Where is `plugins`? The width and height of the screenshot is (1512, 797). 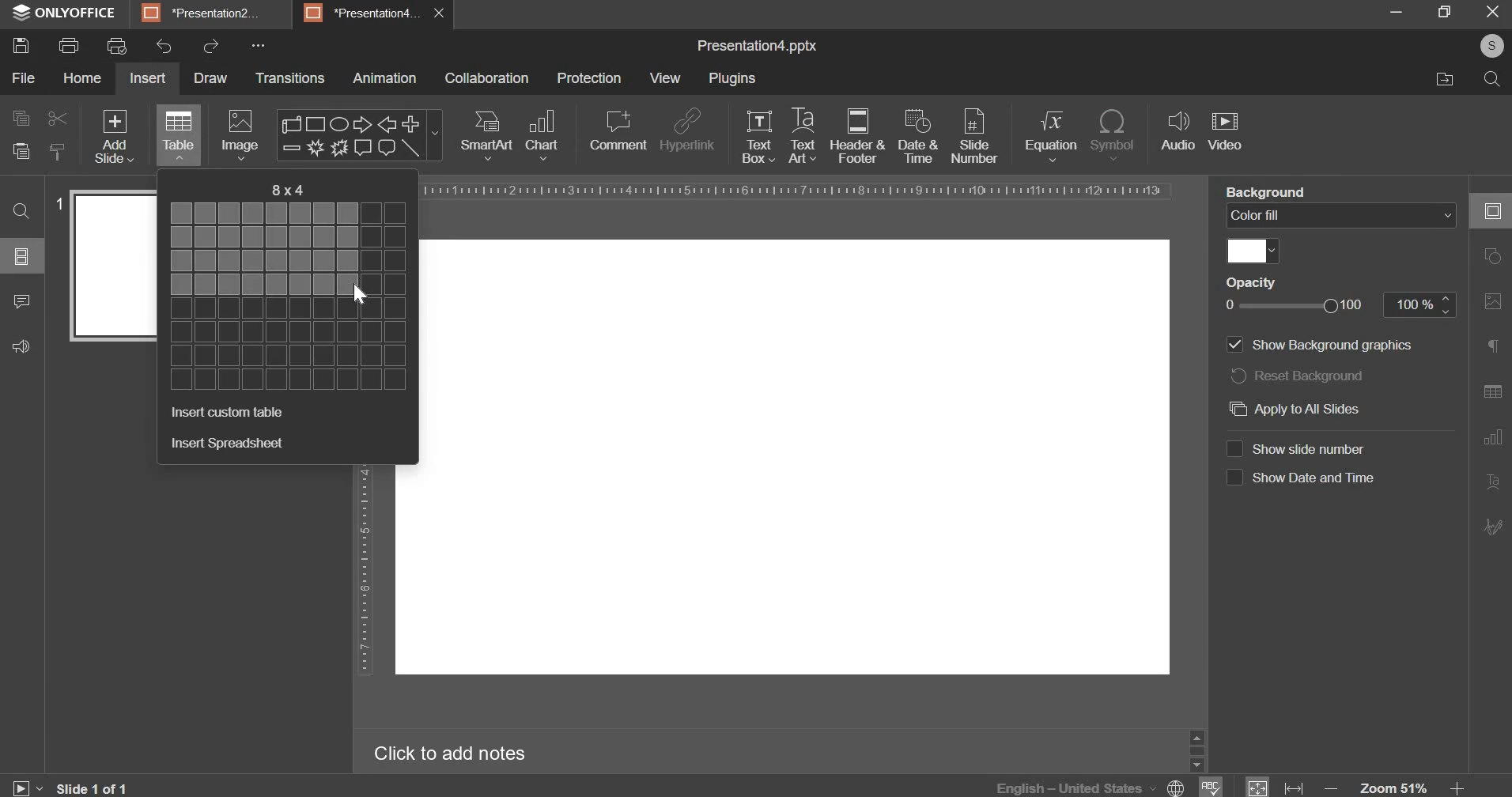
plugins is located at coordinates (731, 78).